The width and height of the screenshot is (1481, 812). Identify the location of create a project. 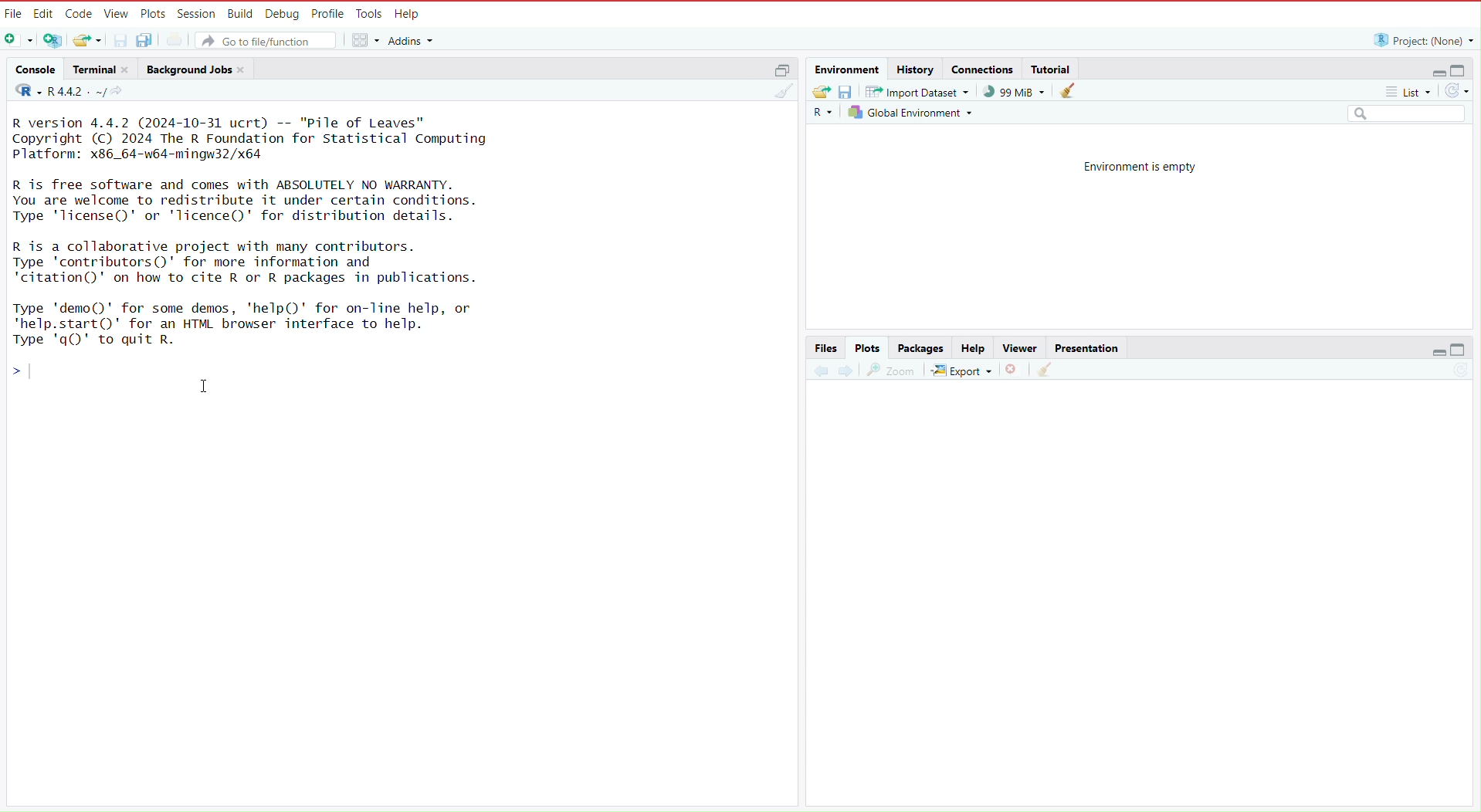
(51, 39).